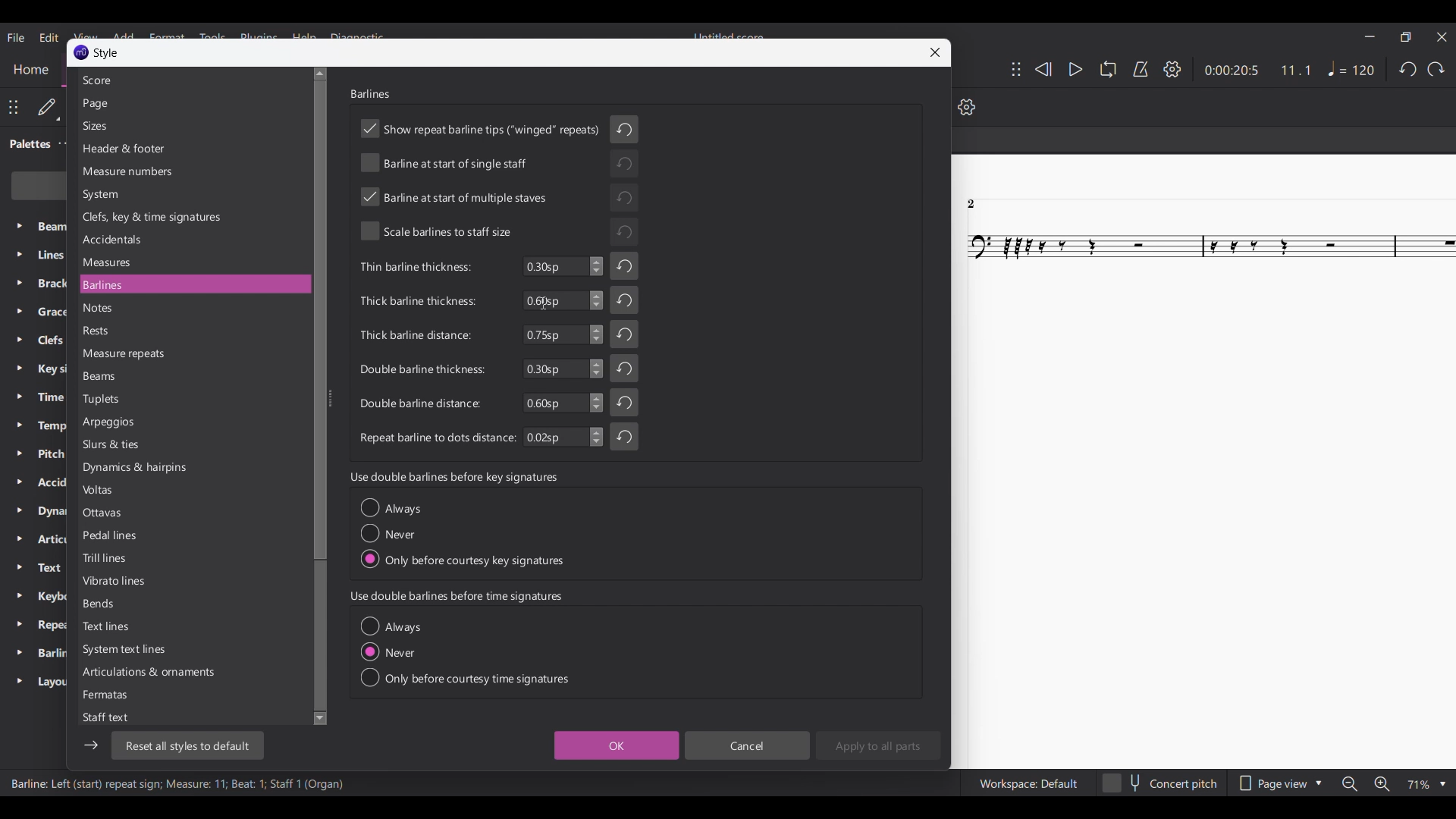 Image resolution: width=1456 pixels, height=819 pixels. Describe the element at coordinates (1370, 36) in the screenshot. I see `Minimize` at that location.